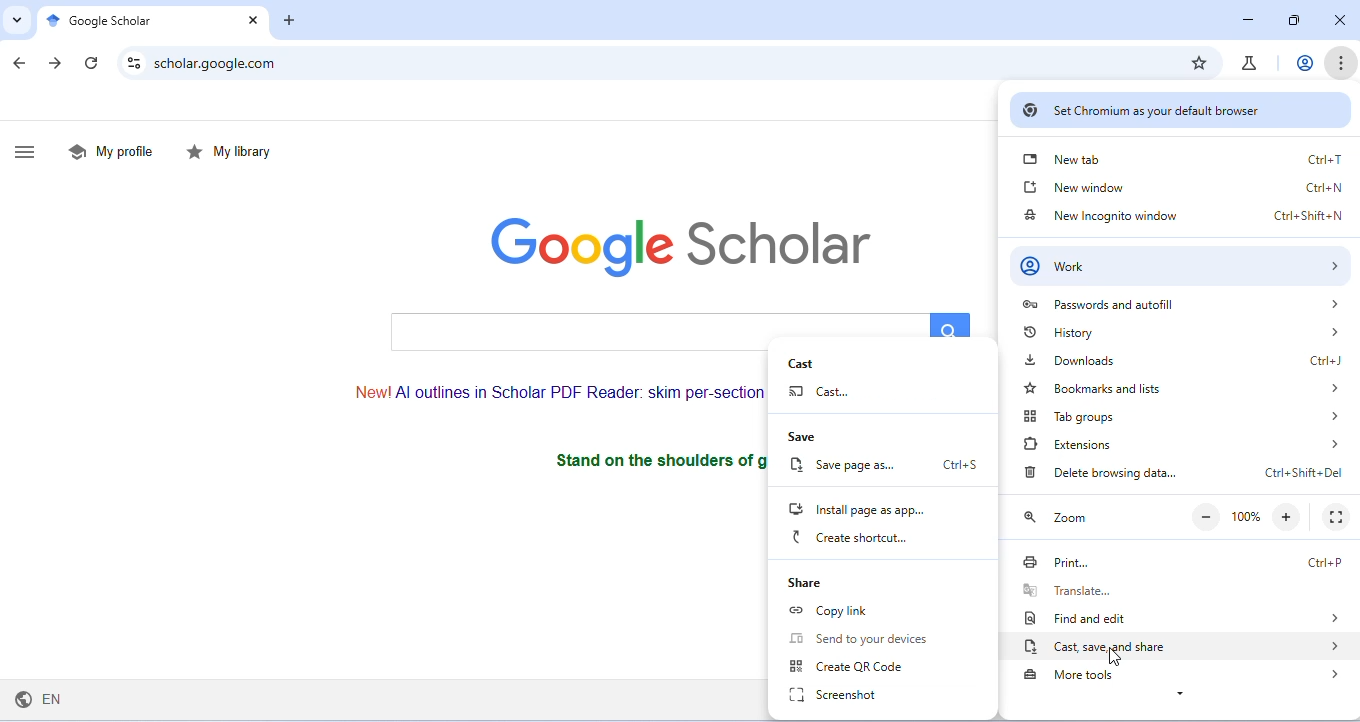  What do you see at coordinates (1191, 360) in the screenshot?
I see `downloads` at bounding box center [1191, 360].